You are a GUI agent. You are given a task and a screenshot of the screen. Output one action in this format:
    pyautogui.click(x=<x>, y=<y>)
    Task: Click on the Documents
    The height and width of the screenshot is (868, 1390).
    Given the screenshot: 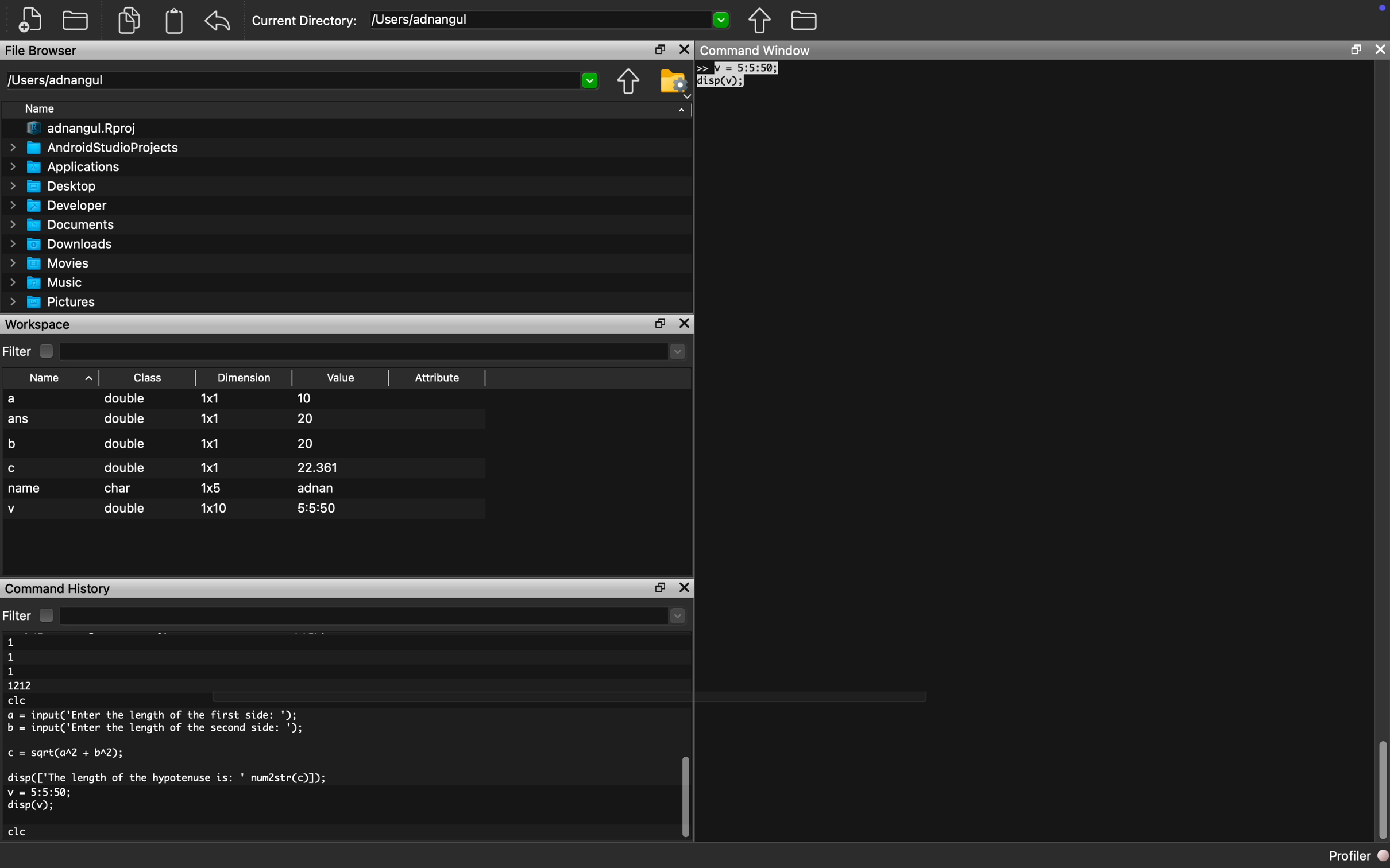 What is the action you would take?
    pyautogui.click(x=57, y=224)
    